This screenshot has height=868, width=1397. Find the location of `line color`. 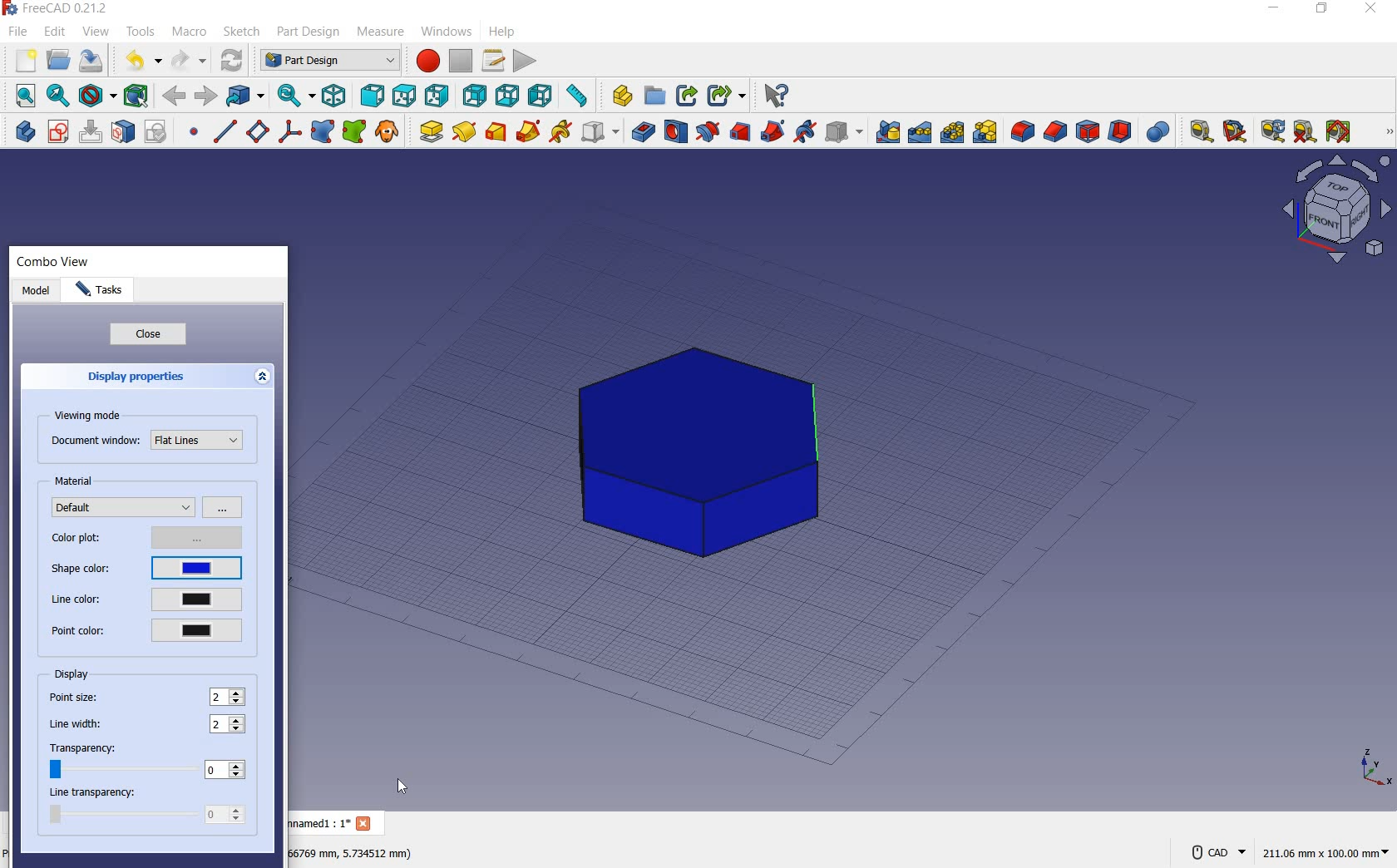

line color is located at coordinates (74, 600).